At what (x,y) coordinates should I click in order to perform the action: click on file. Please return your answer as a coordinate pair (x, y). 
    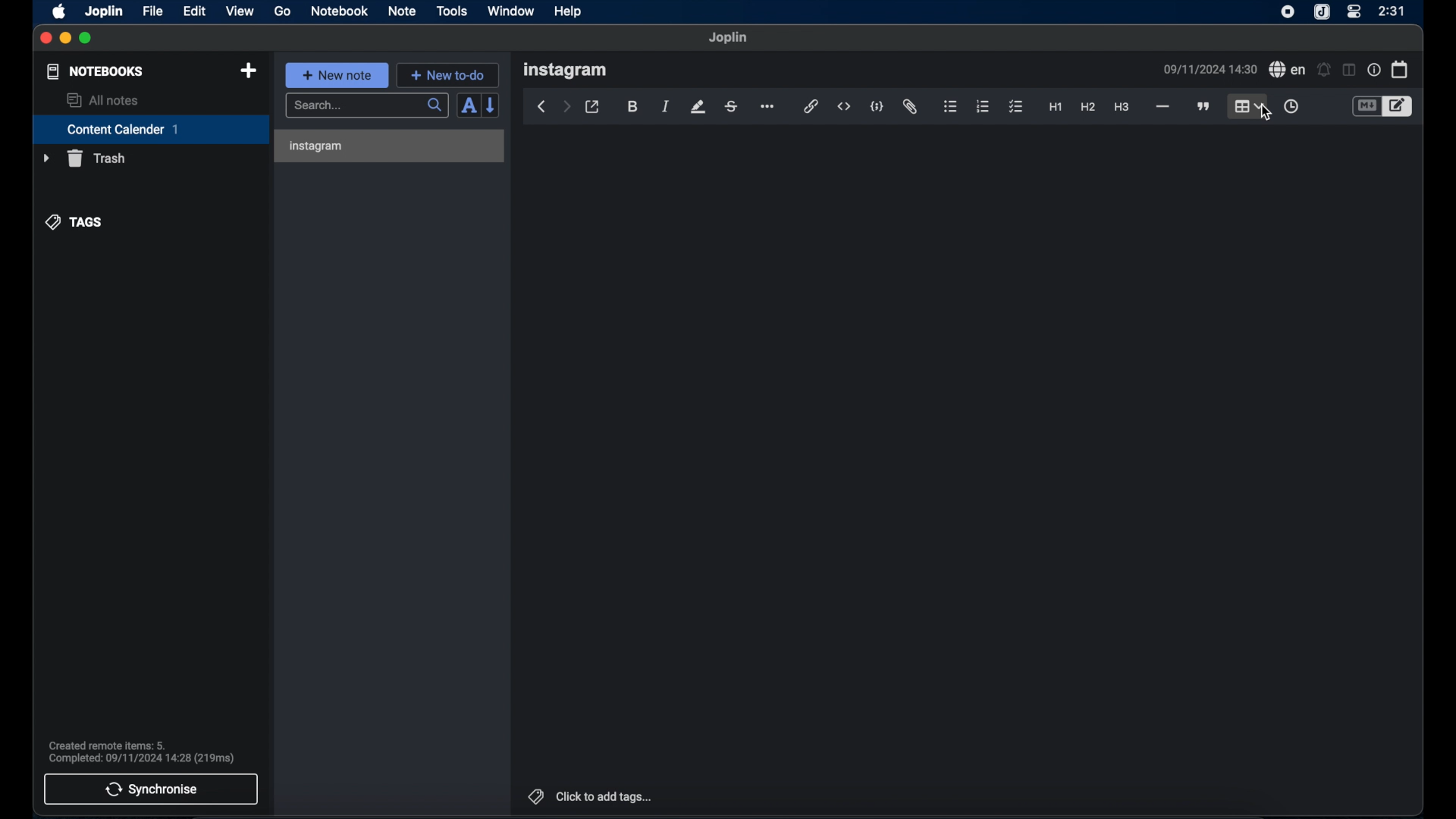
    Looking at the image, I should click on (154, 11).